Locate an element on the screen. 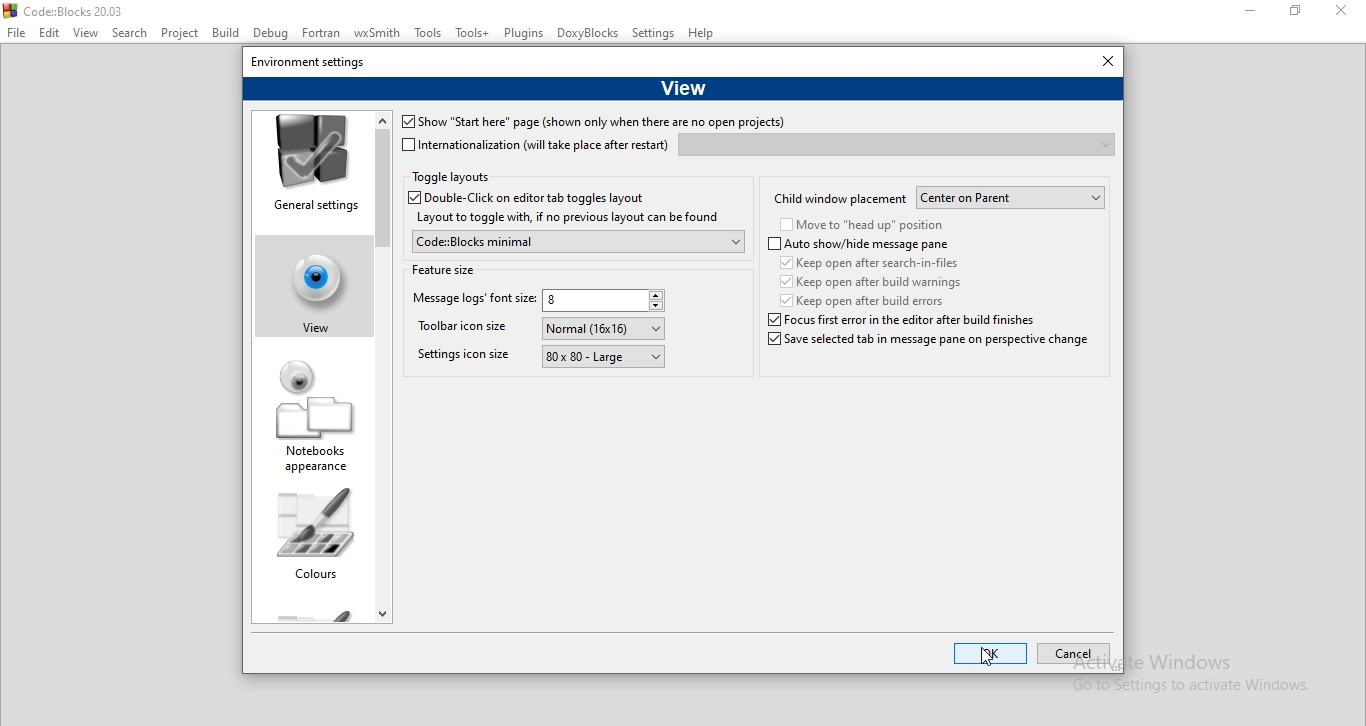 This screenshot has height=726, width=1366. Message logs font size: 8 is located at coordinates (471, 301).